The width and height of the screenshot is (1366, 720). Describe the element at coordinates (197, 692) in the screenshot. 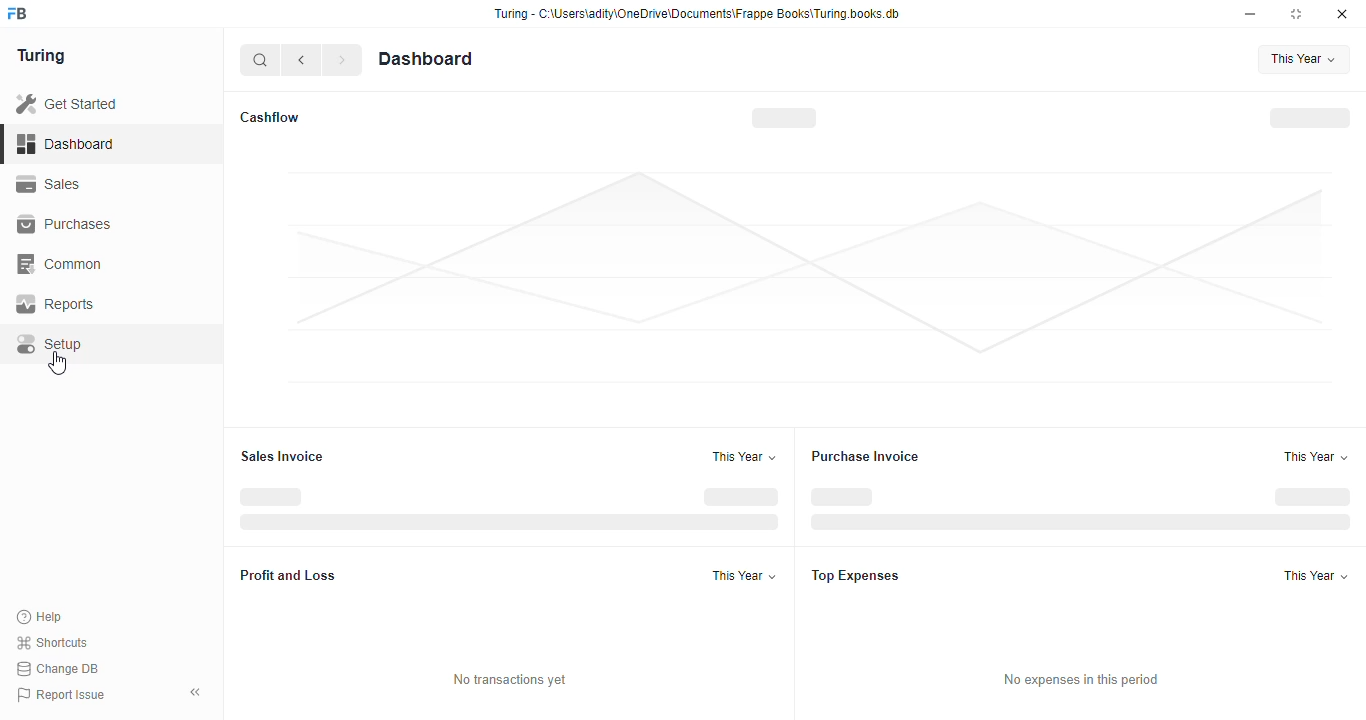

I see `collapse` at that location.